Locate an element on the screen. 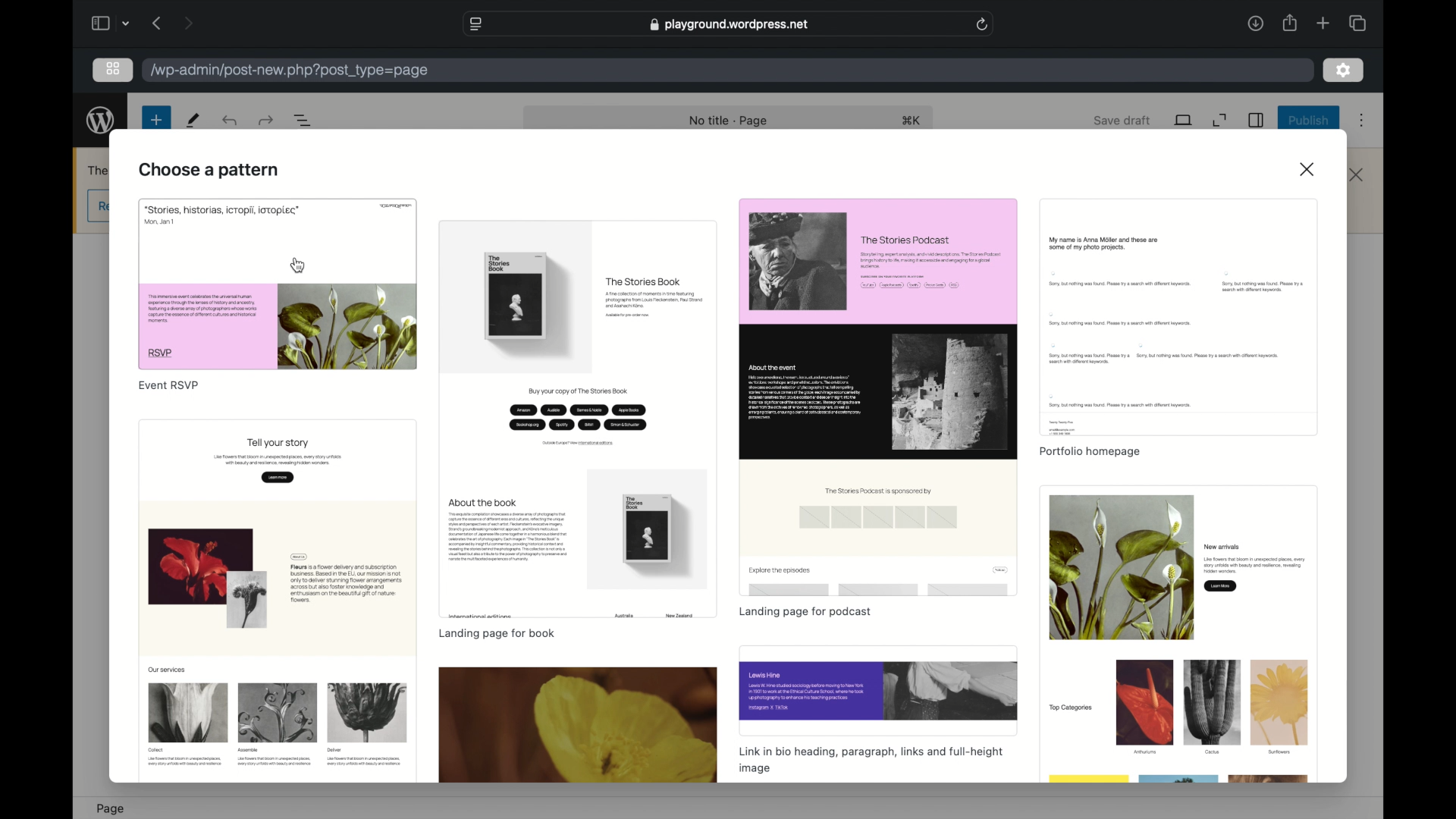 The width and height of the screenshot is (1456, 819). tab group picker is located at coordinates (127, 24).